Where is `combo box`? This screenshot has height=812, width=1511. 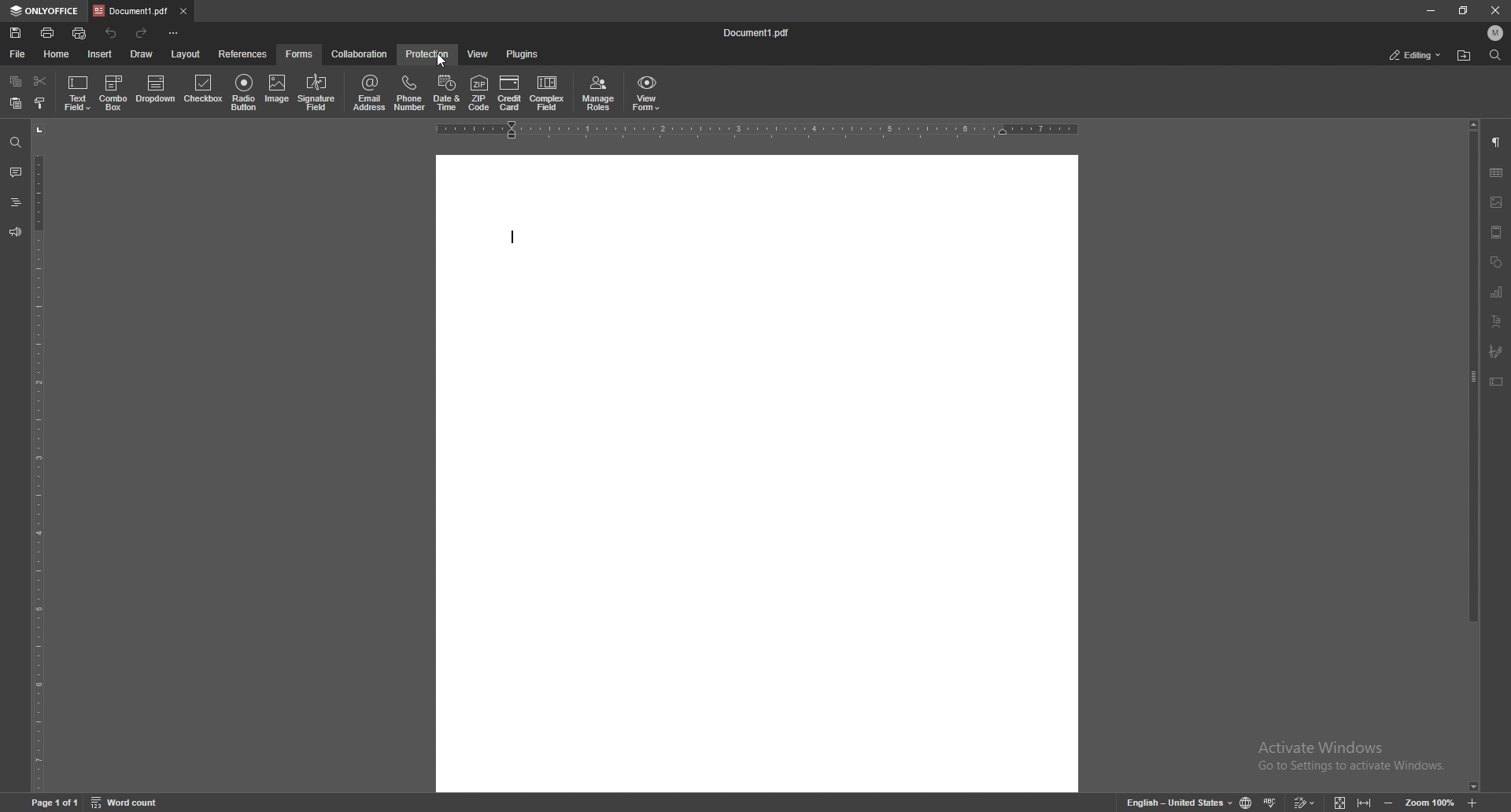
combo box is located at coordinates (114, 93).